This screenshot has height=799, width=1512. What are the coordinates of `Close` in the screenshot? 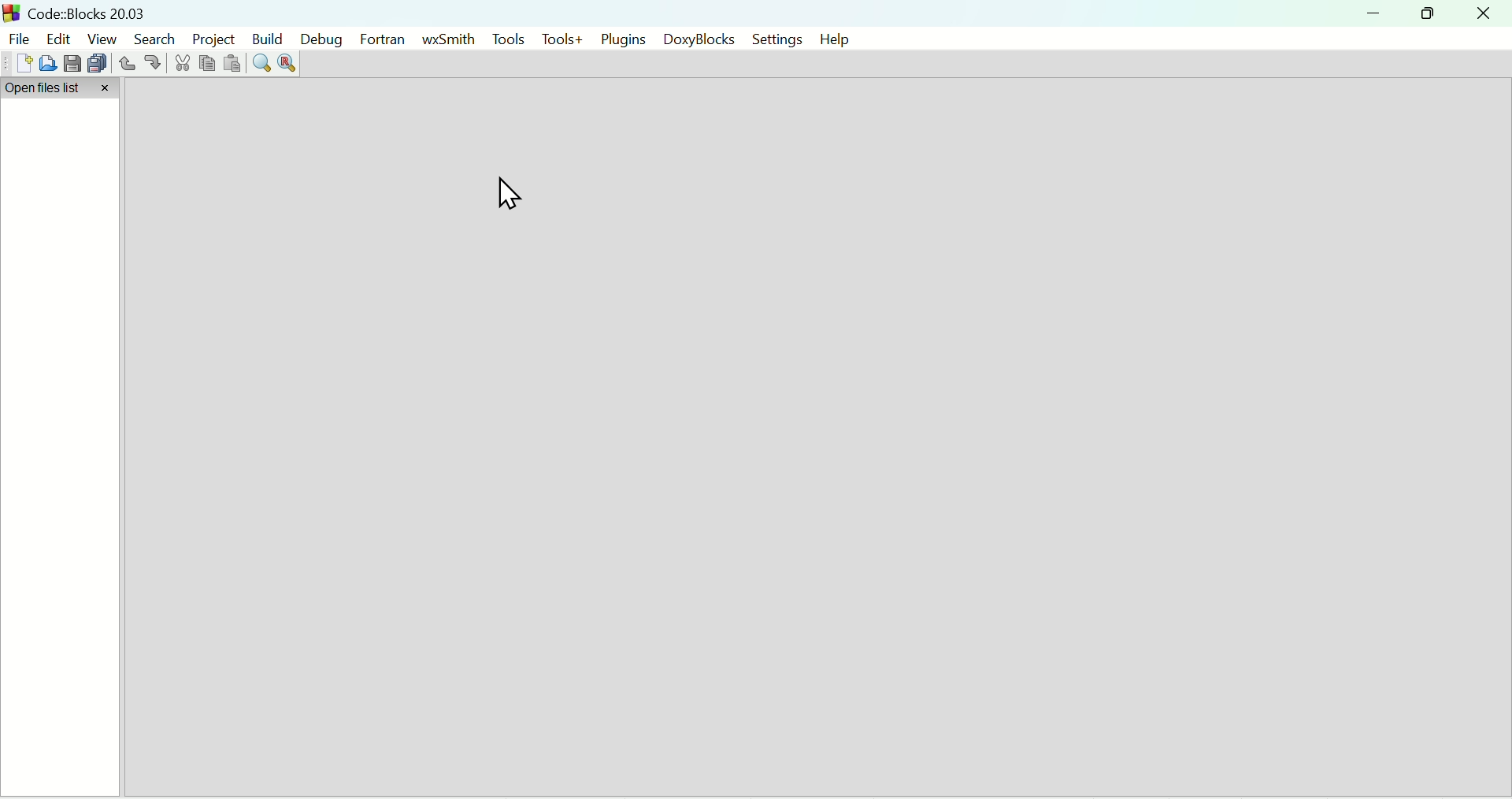 It's located at (1483, 13).